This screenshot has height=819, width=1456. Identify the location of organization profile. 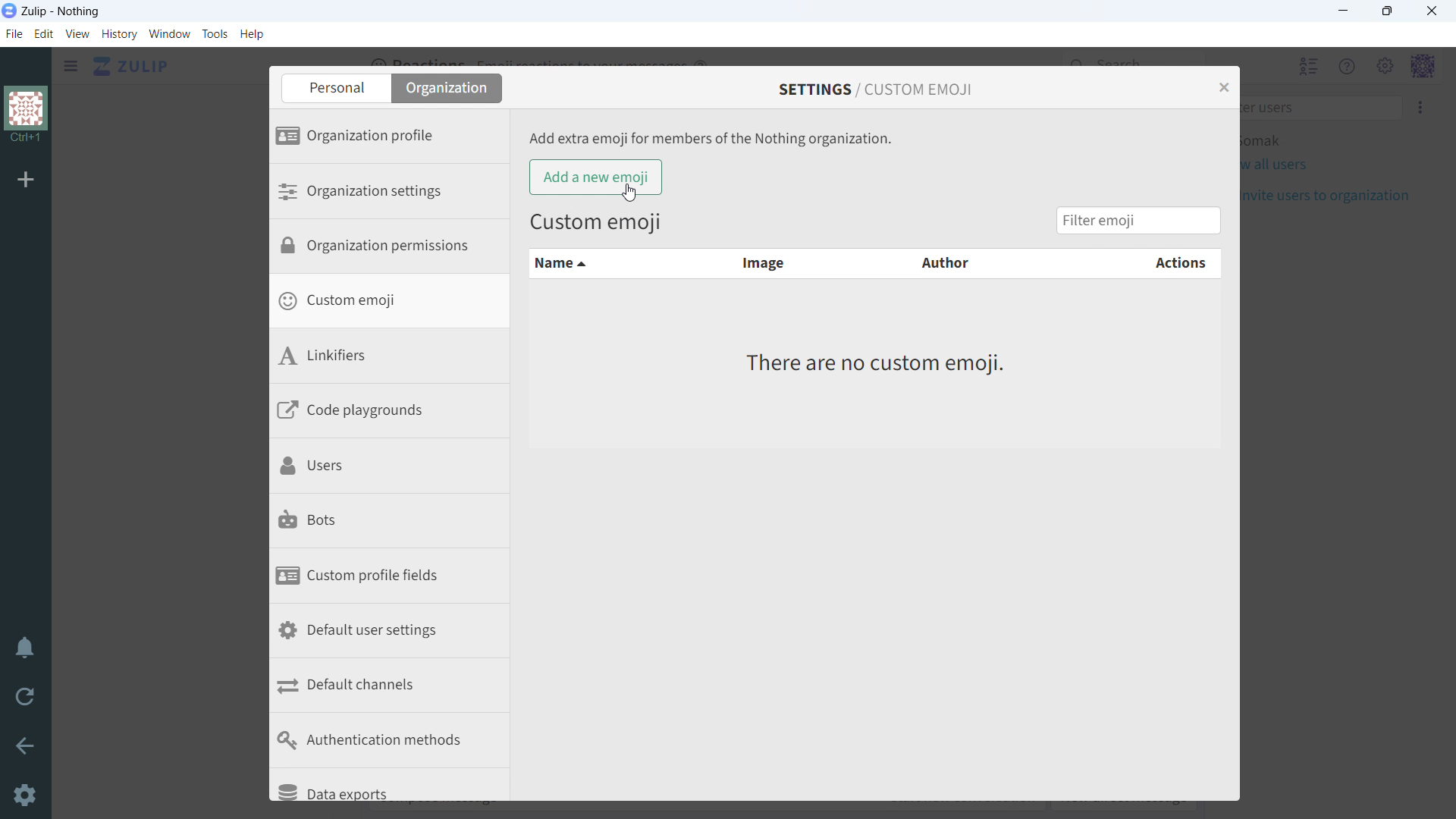
(388, 137).